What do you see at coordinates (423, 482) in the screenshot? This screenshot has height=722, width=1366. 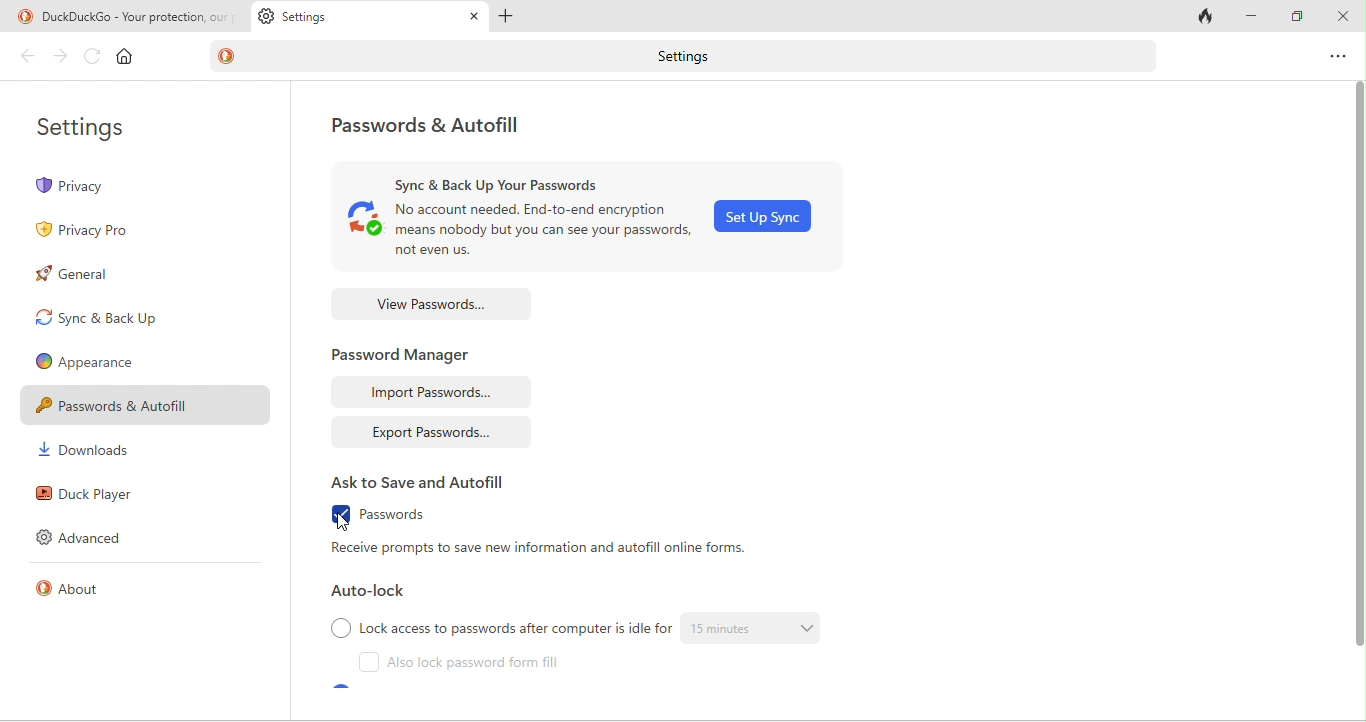 I see `ask to save and autofill` at bounding box center [423, 482].